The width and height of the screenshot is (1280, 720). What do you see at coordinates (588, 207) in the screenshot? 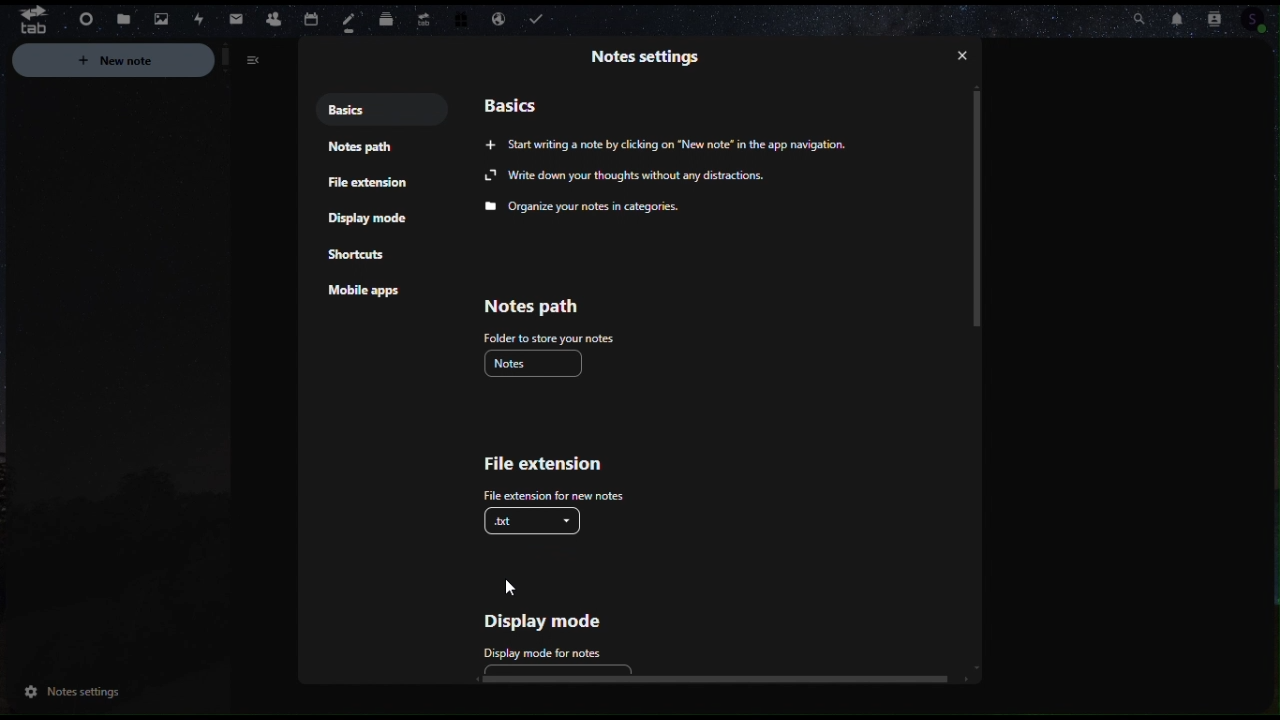
I see `organize your noes in categories` at bounding box center [588, 207].